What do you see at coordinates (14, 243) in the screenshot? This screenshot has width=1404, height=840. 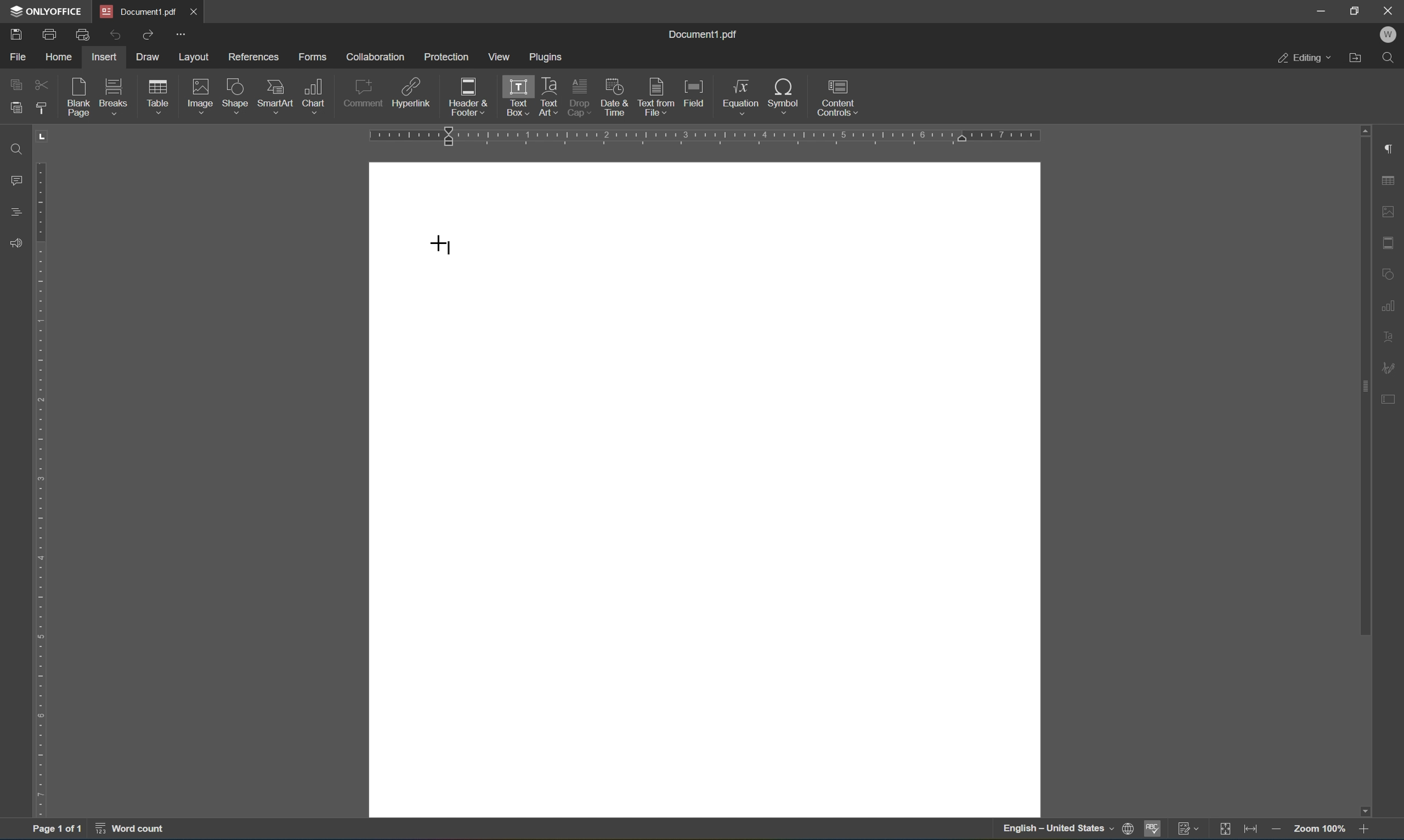 I see `Feedback and support` at bounding box center [14, 243].